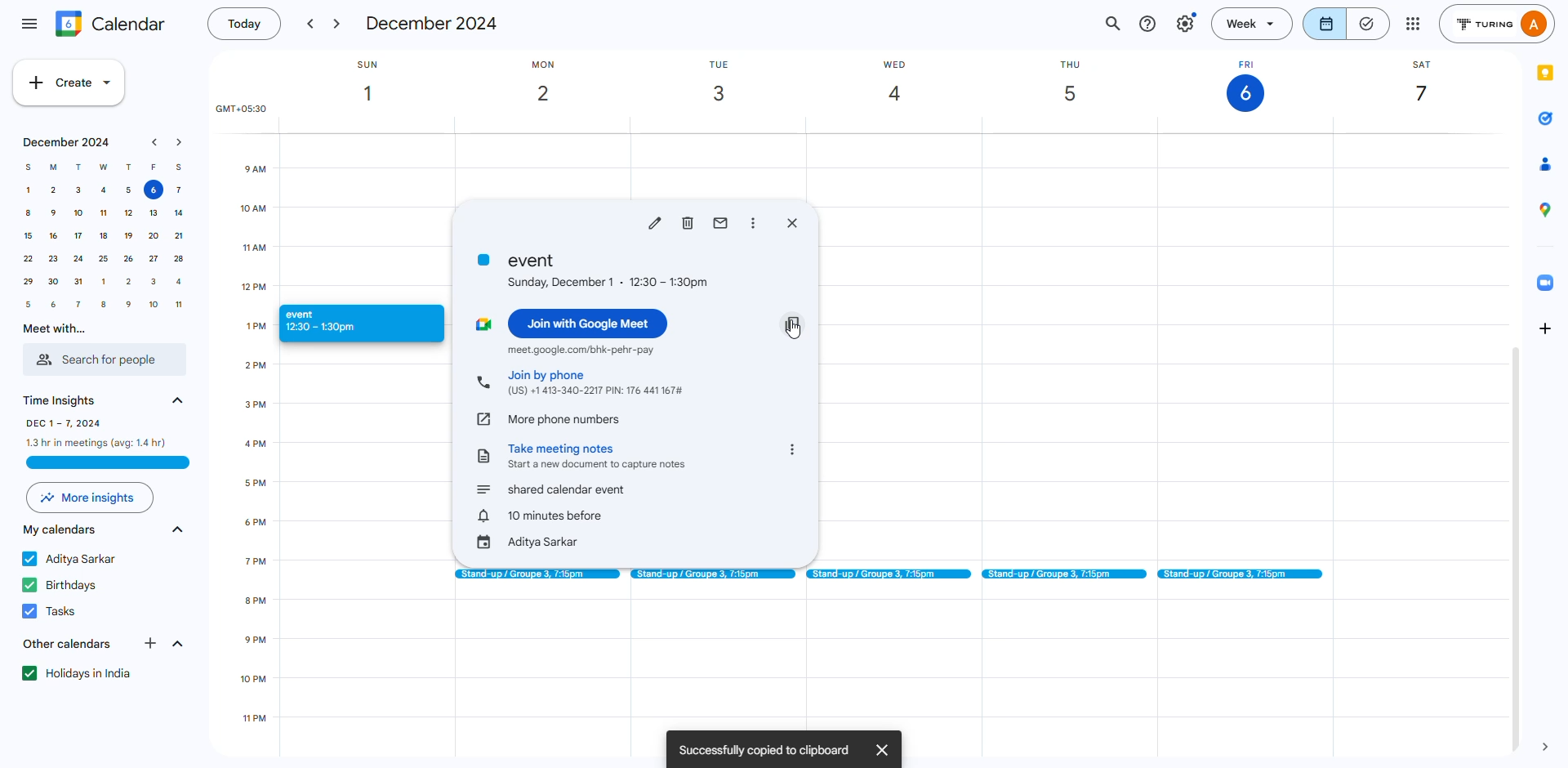  What do you see at coordinates (105, 213) in the screenshot?
I see `11` at bounding box center [105, 213].